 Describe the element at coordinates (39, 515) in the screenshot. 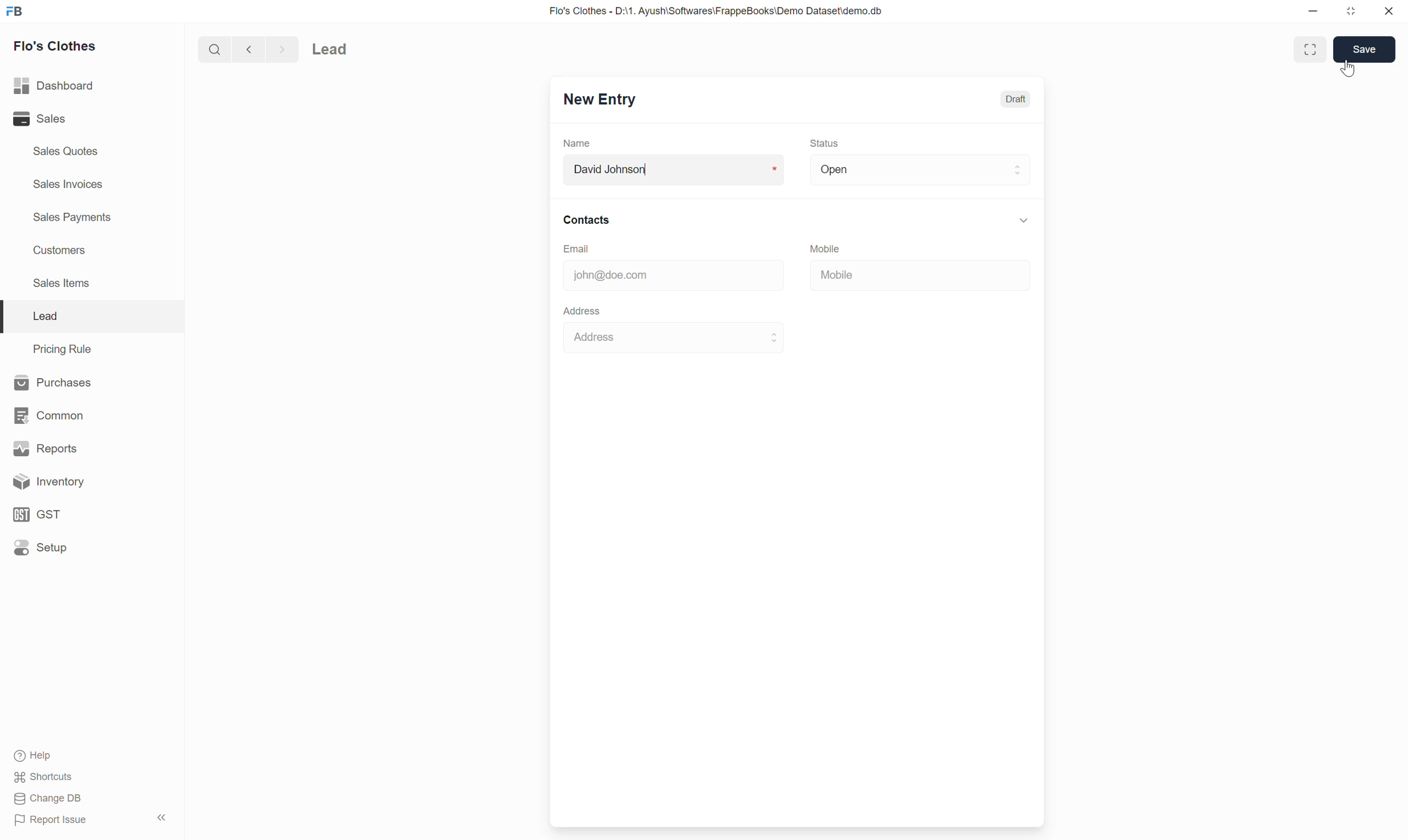

I see `GST` at that location.